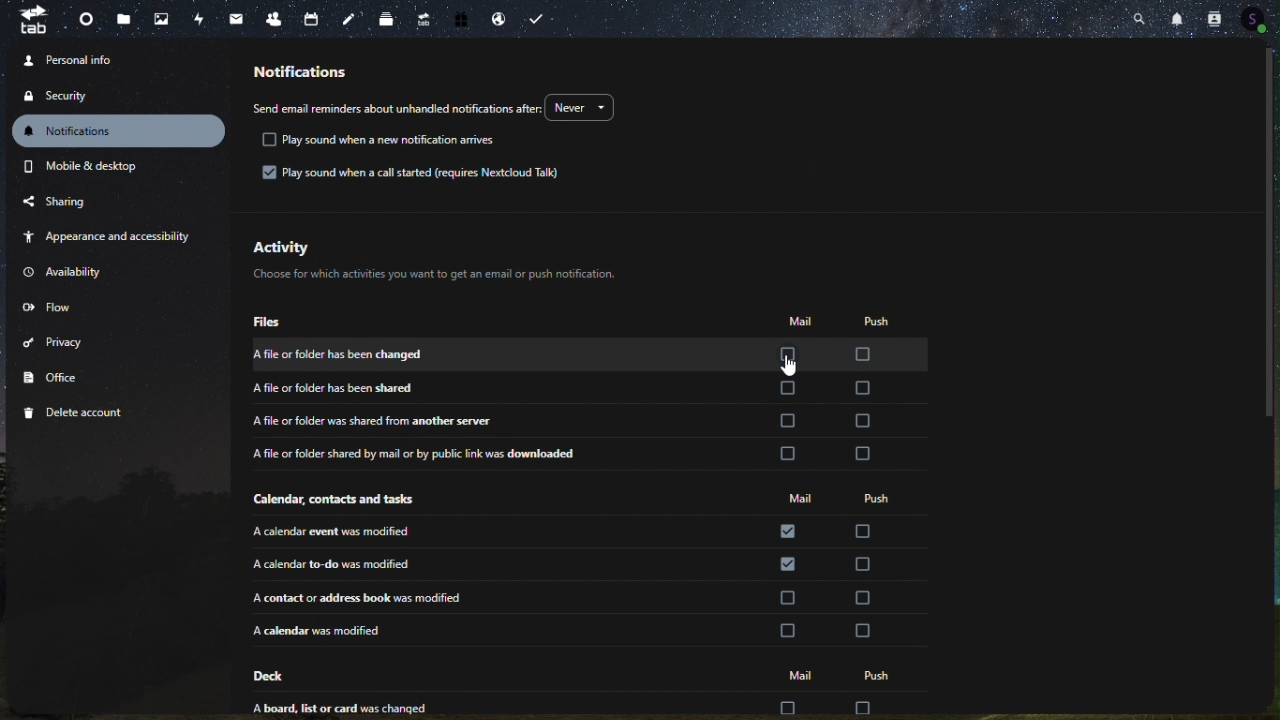  Describe the element at coordinates (432, 274) in the screenshot. I see `Choose for which activities you want to get an email or push notificaton` at that location.